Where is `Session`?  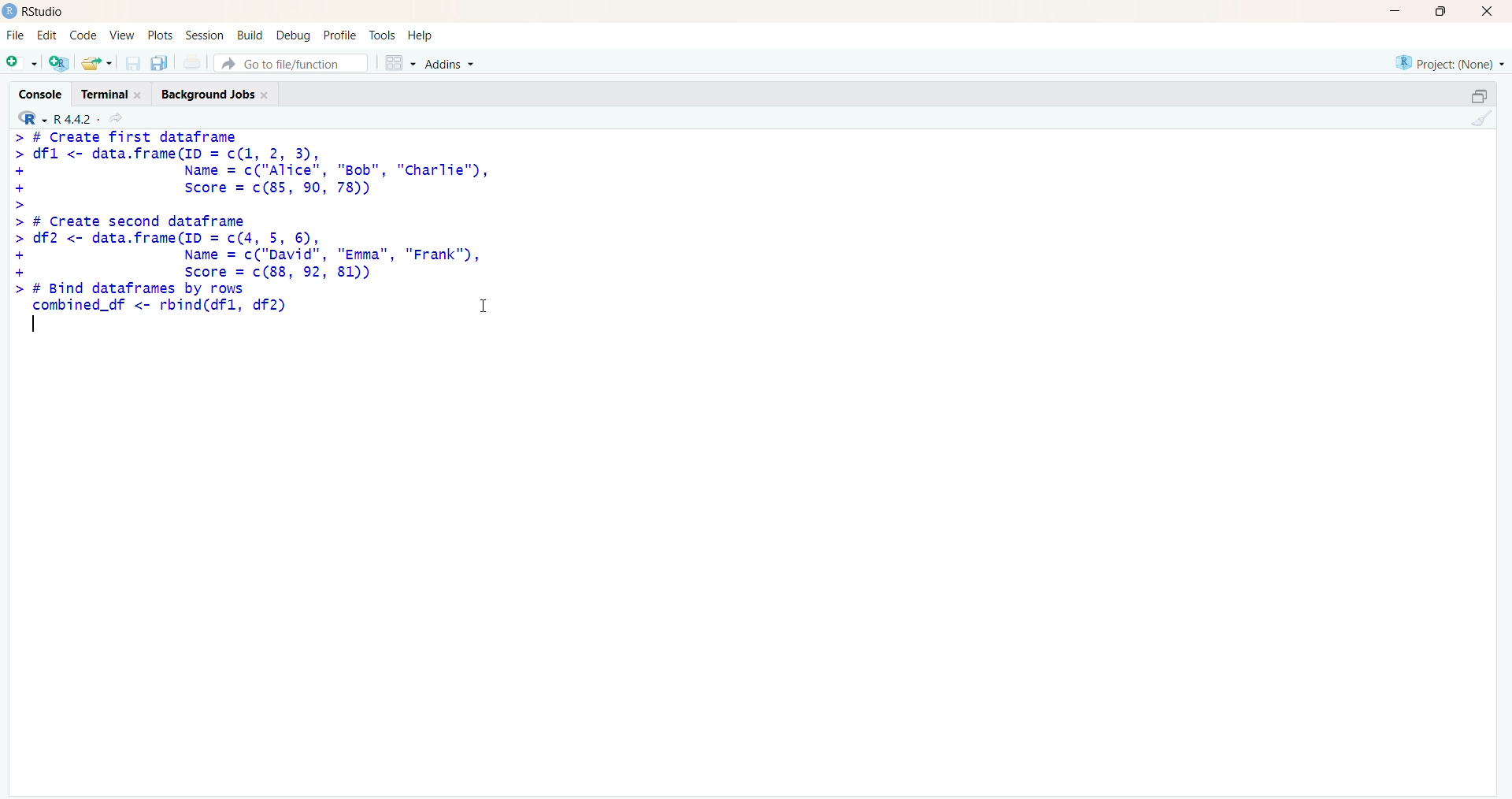 Session is located at coordinates (205, 35).